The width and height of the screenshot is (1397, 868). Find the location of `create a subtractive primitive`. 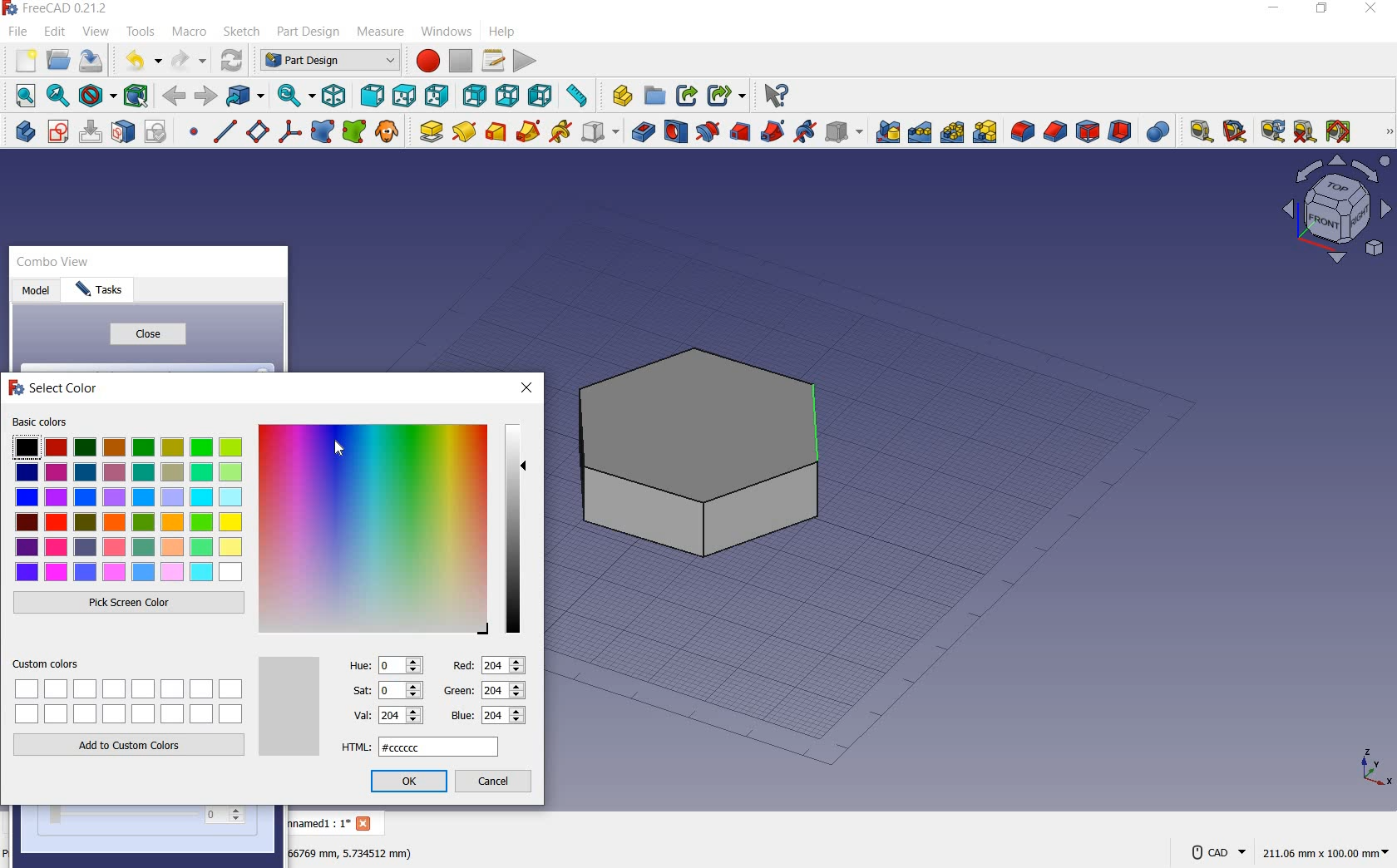

create a subtractive primitive is located at coordinates (844, 131).